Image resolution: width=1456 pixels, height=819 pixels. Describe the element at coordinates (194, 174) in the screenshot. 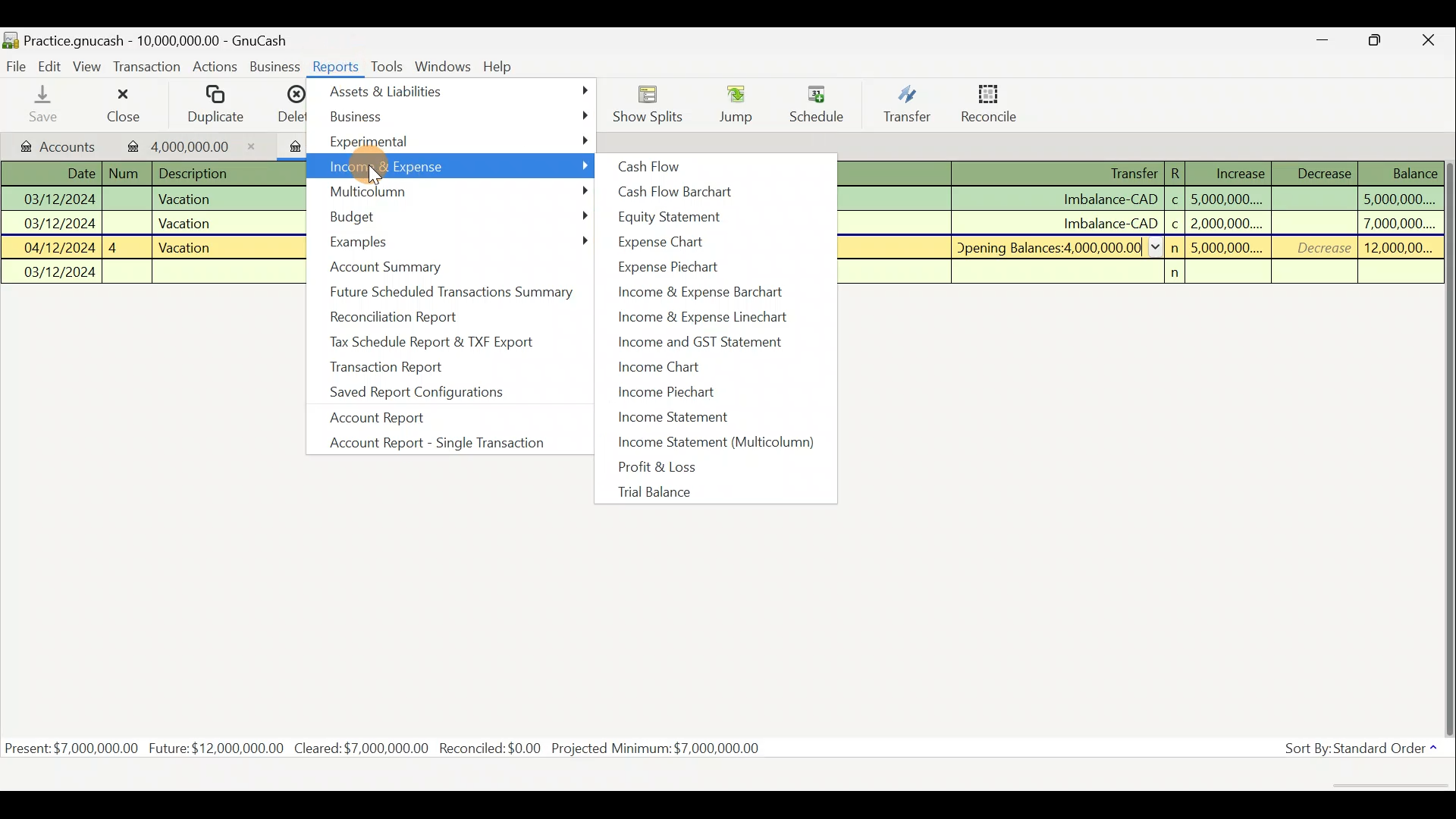

I see `Description` at that location.